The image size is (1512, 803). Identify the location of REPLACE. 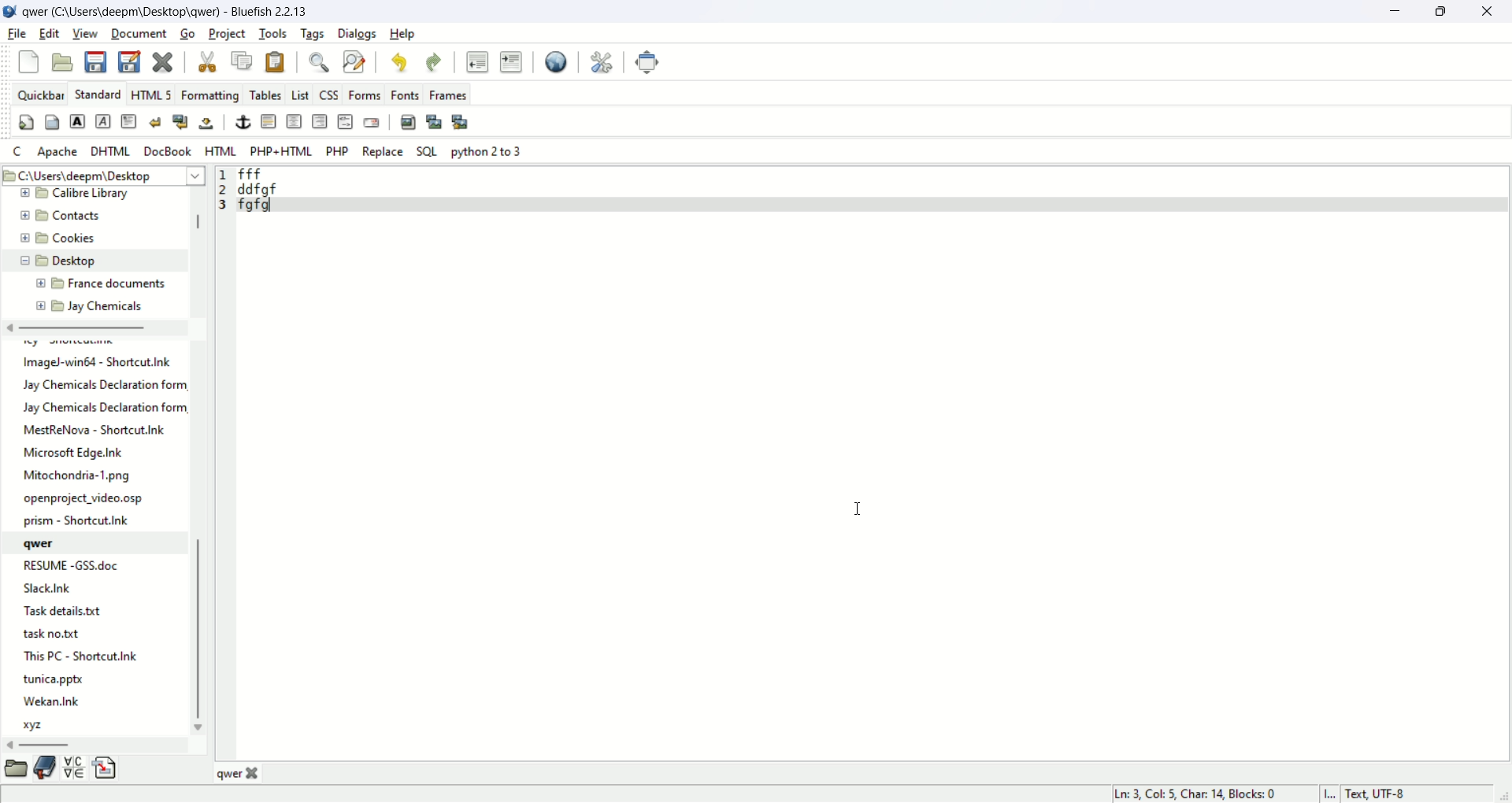
(384, 152).